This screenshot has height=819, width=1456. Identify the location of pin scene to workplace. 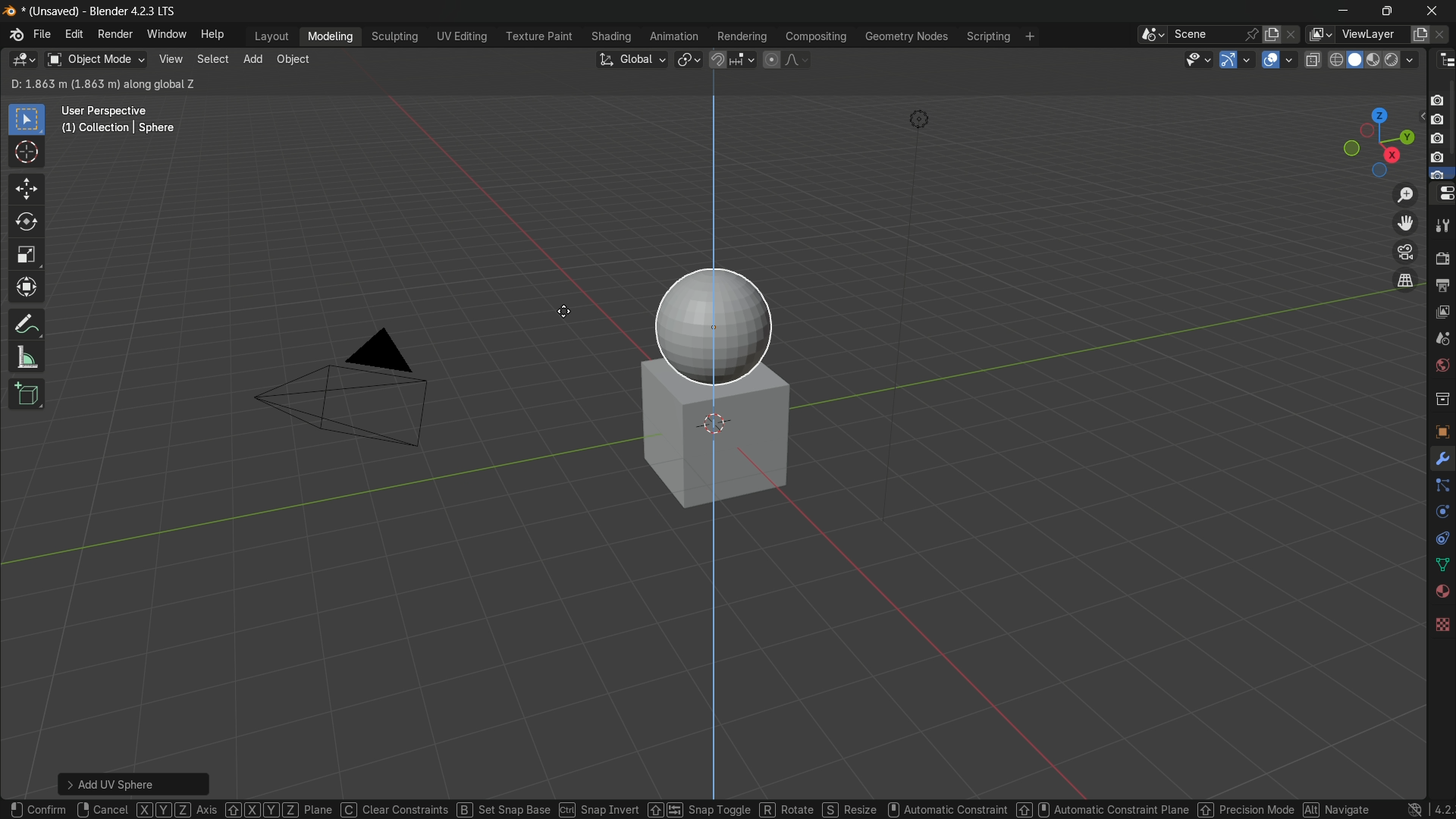
(1253, 35).